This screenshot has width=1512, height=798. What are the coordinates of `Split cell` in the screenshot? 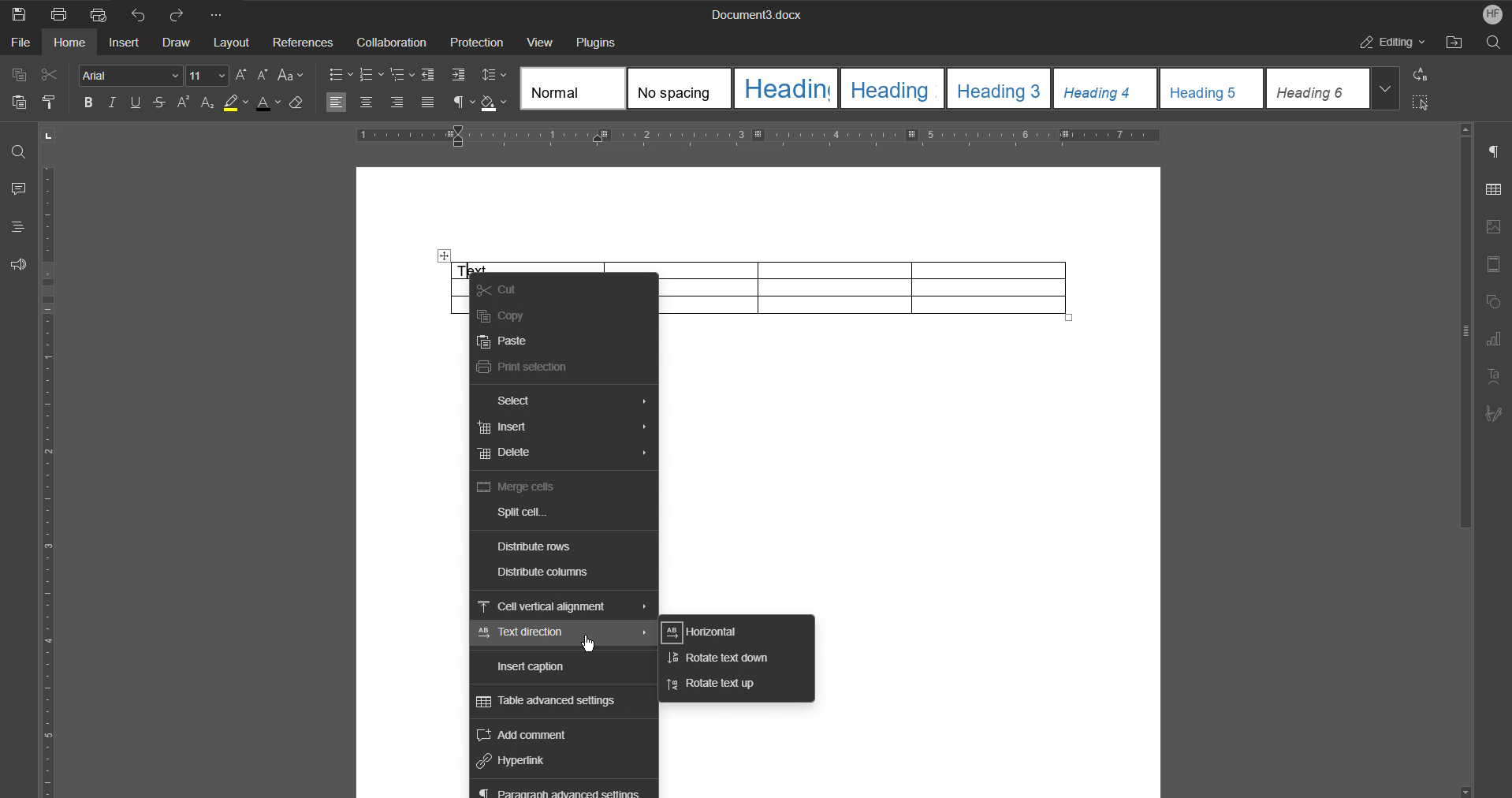 It's located at (520, 512).